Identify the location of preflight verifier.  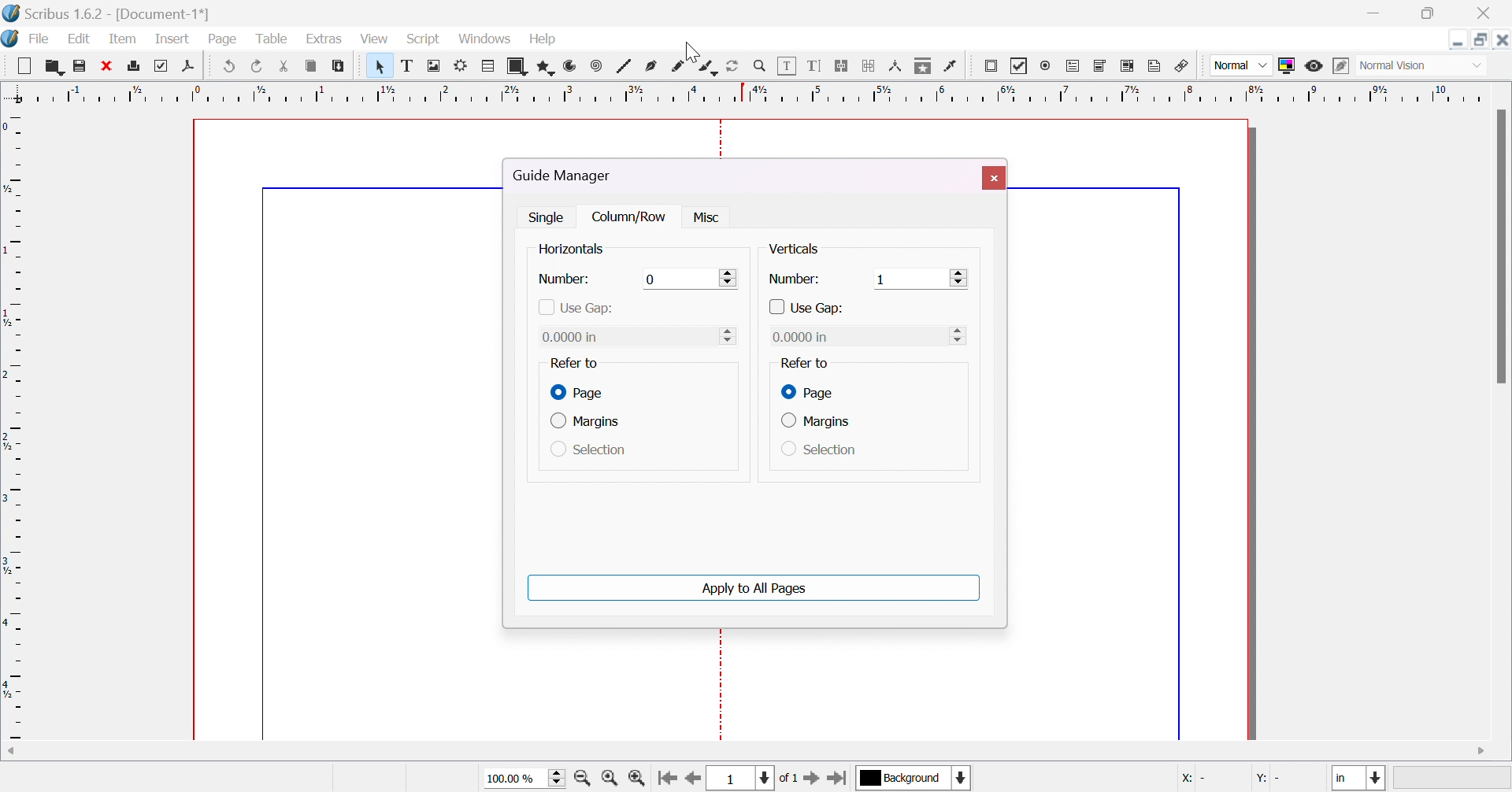
(166, 65).